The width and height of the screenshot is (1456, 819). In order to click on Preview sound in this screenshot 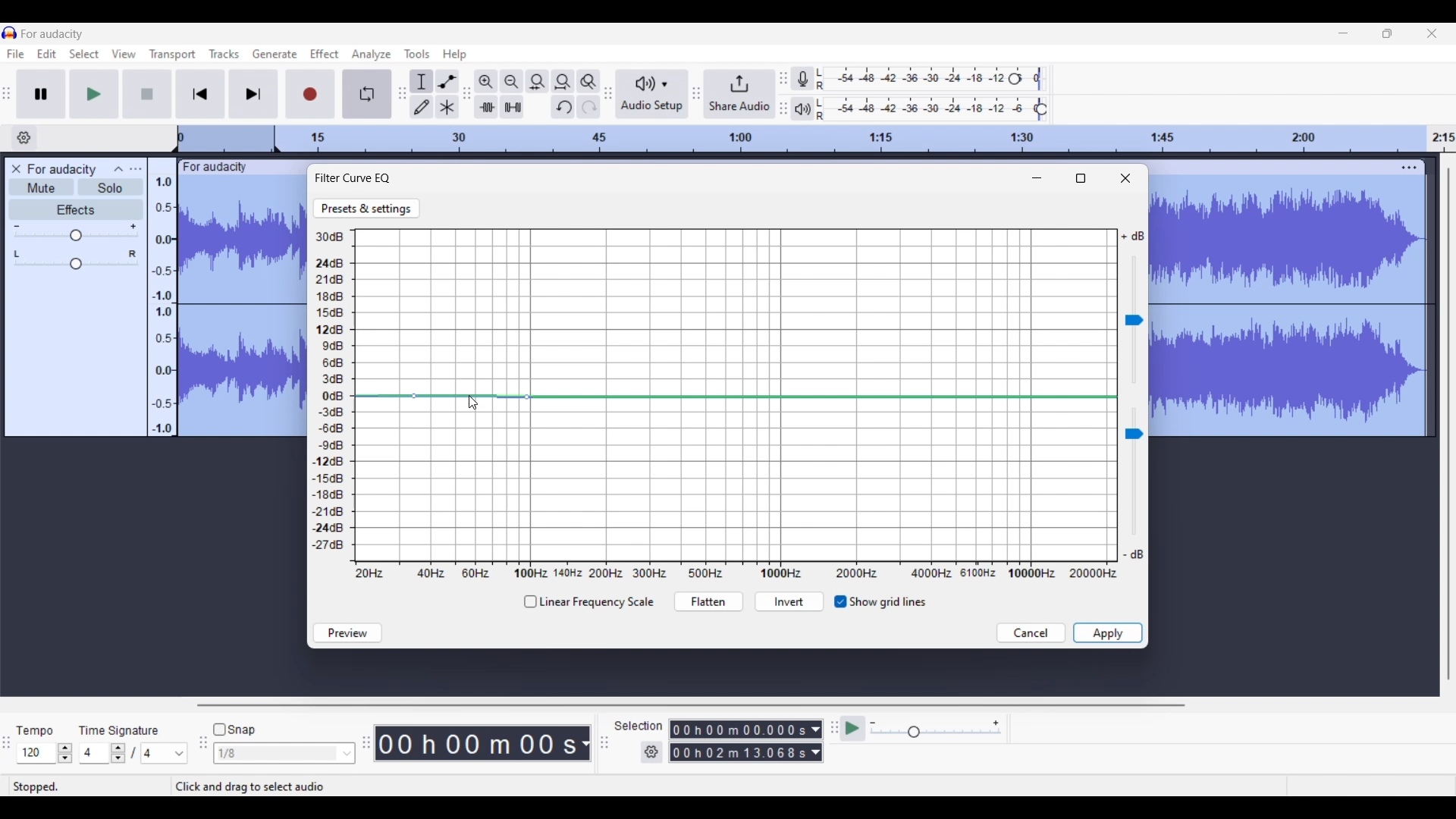, I will do `click(347, 633)`.